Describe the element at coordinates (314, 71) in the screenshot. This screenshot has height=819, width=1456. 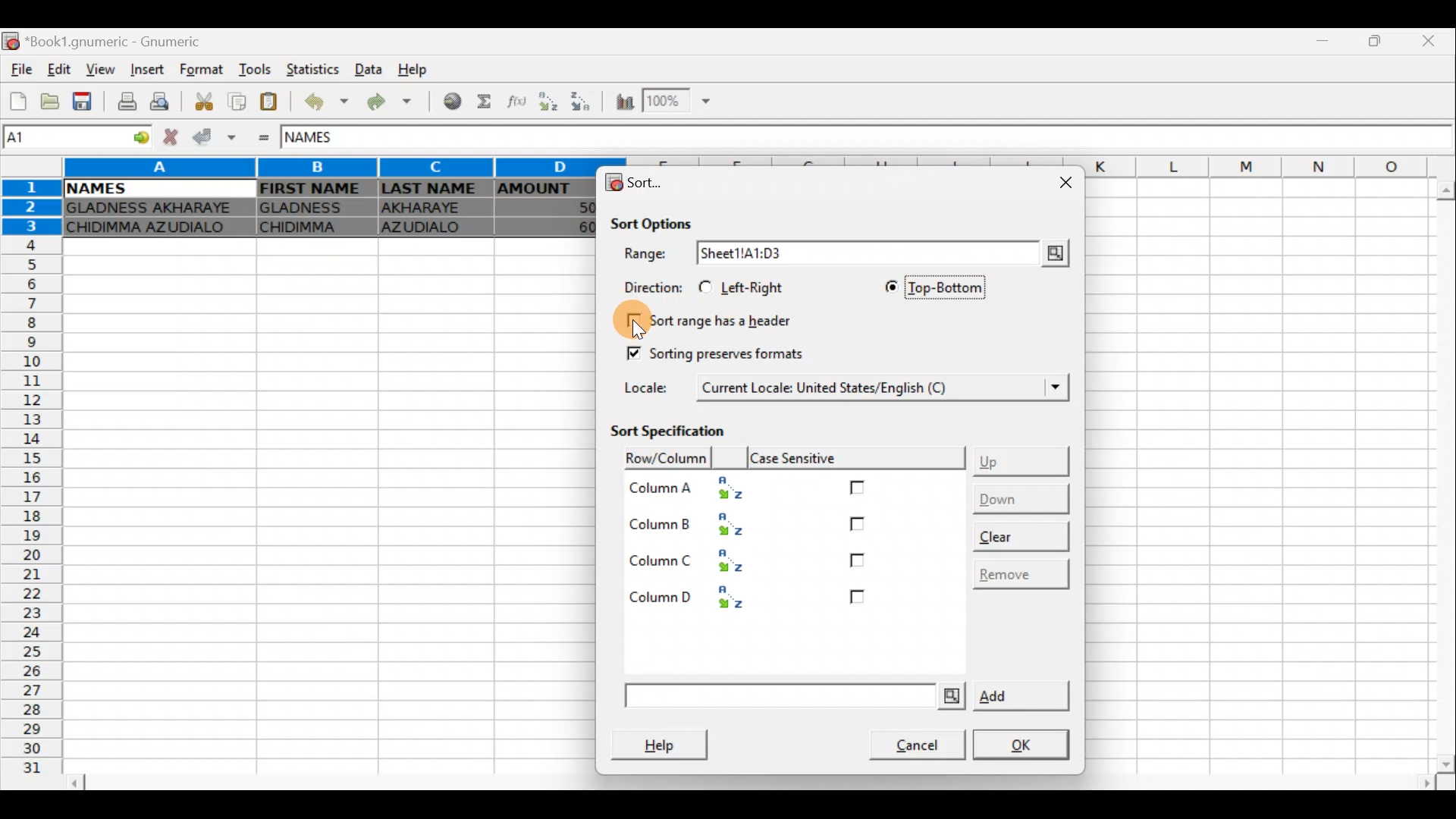
I see `Statistics` at that location.